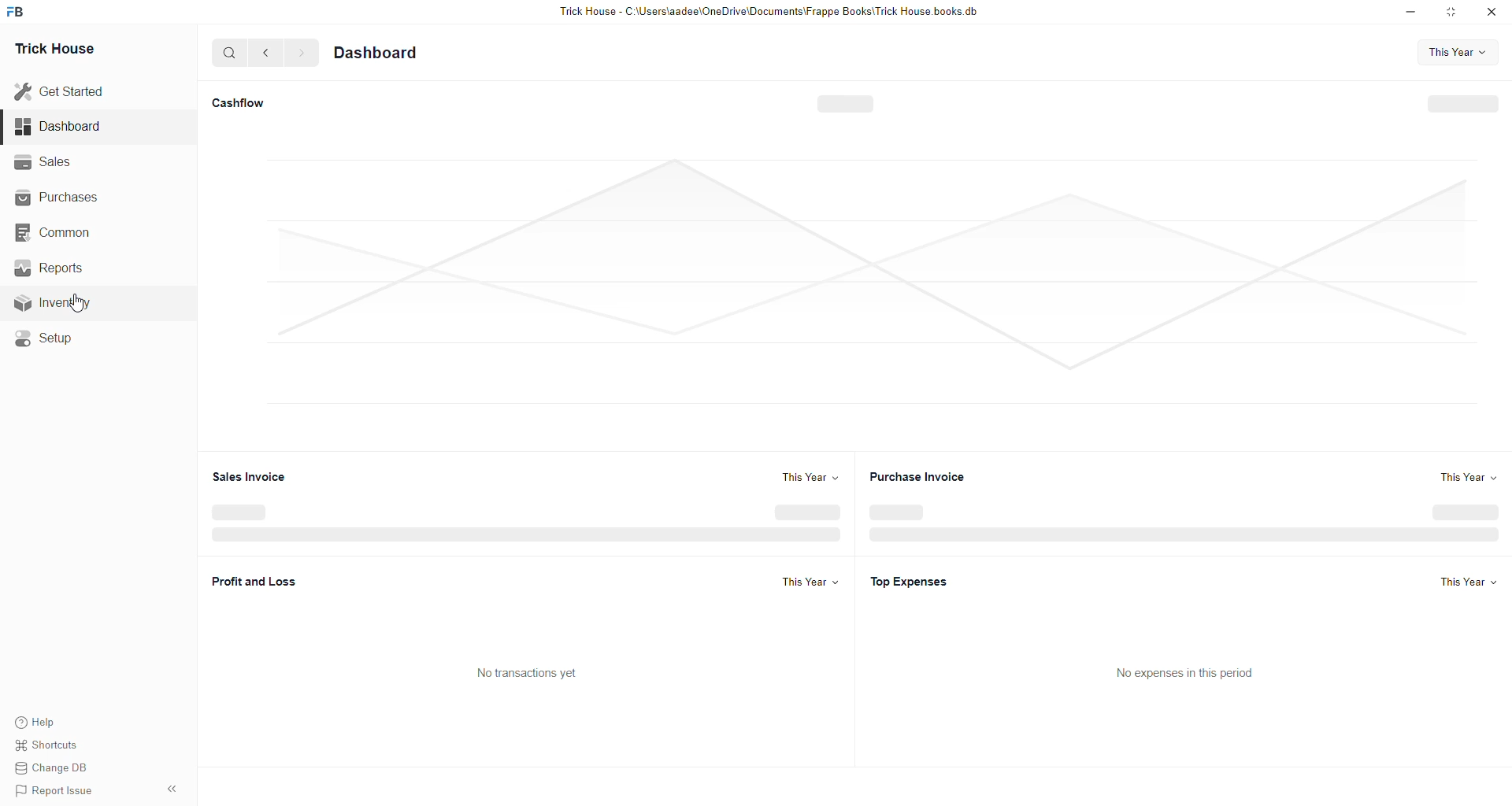  I want to click on Trick House - C:\Users\aadee\OneDrive\Documents\Frappe Books\Trick House books.db, so click(769, 13).